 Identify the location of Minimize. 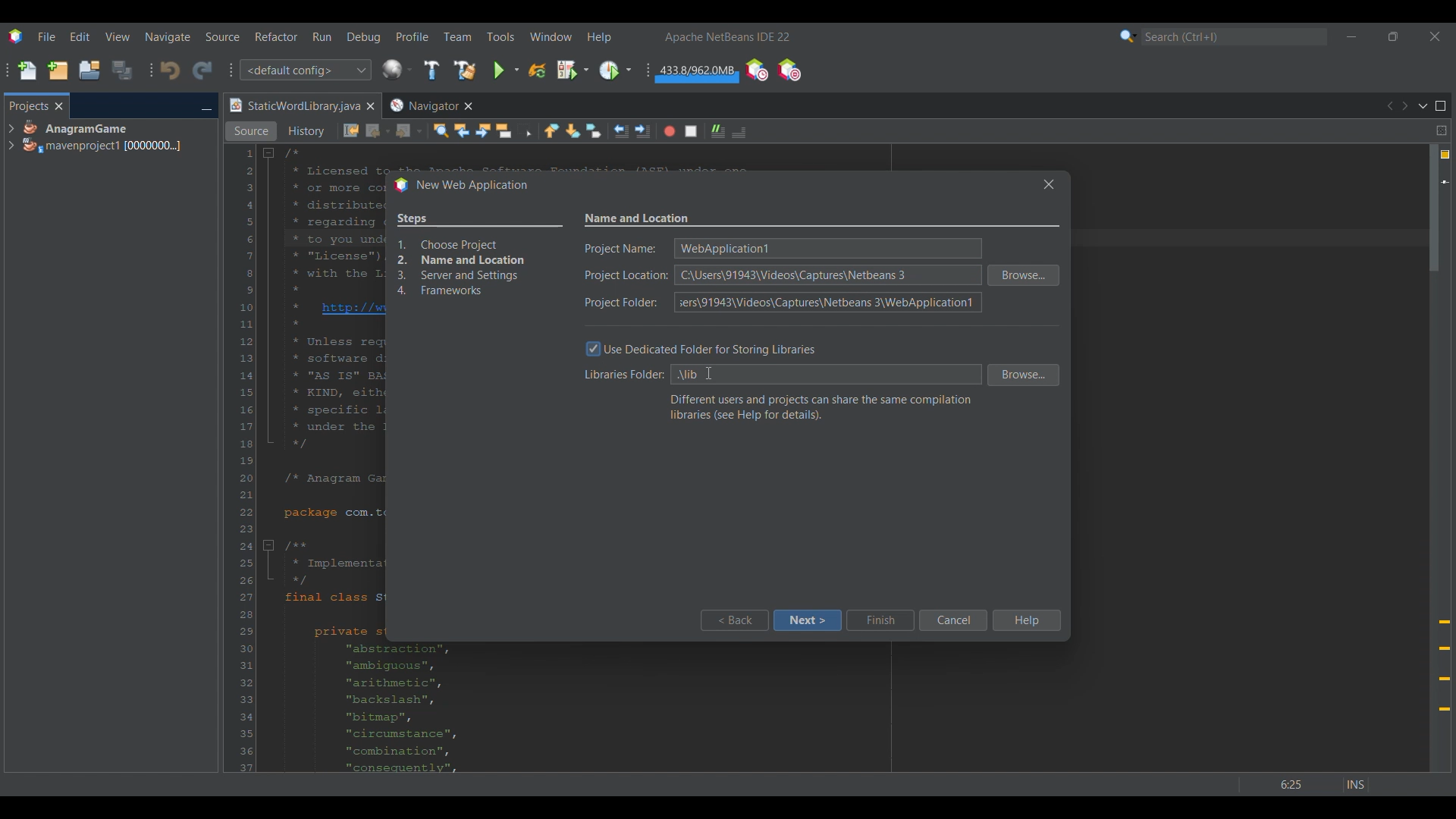
(1351, 36).